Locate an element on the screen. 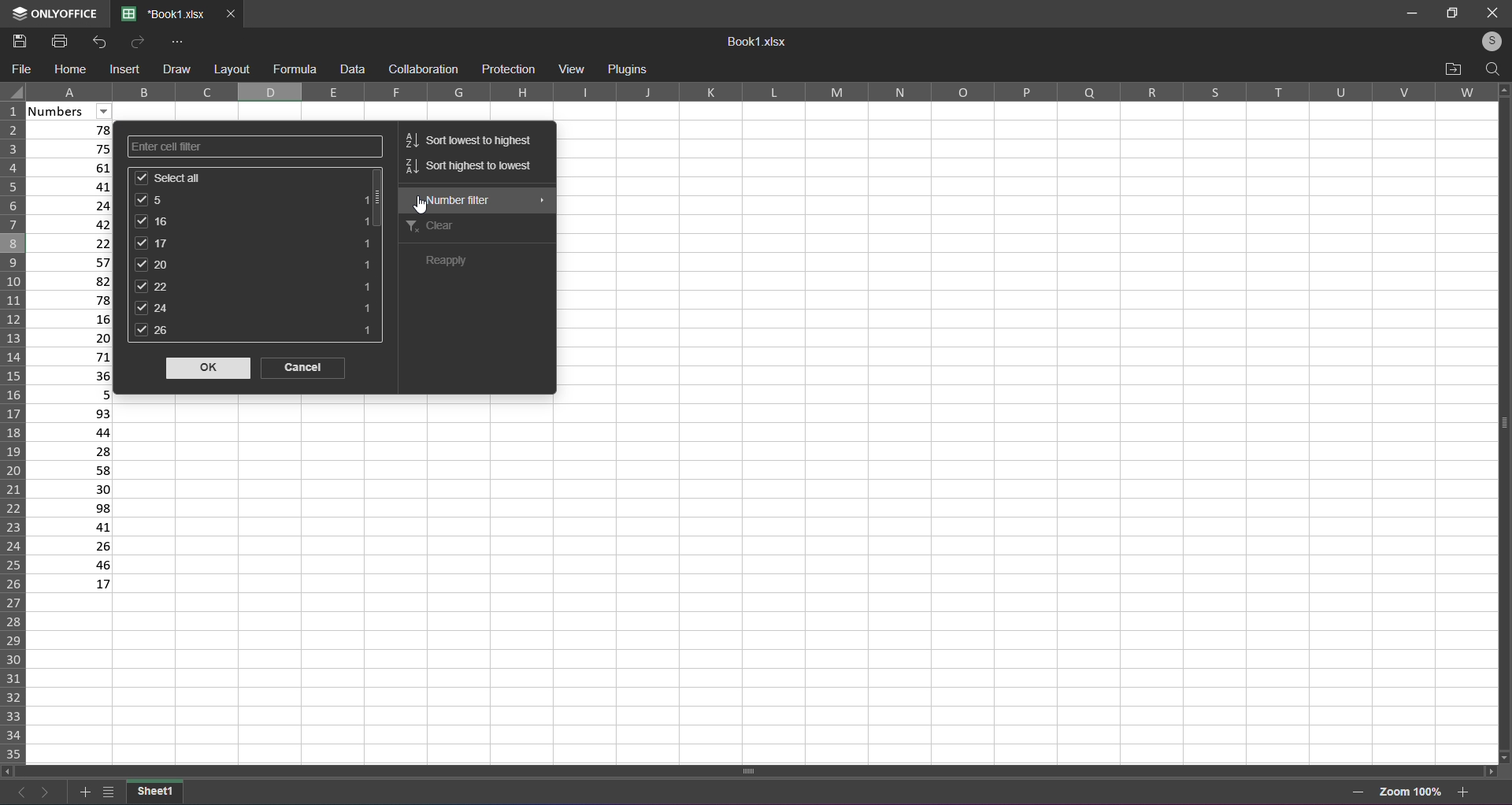  open is located at coordinates (1454, 69).